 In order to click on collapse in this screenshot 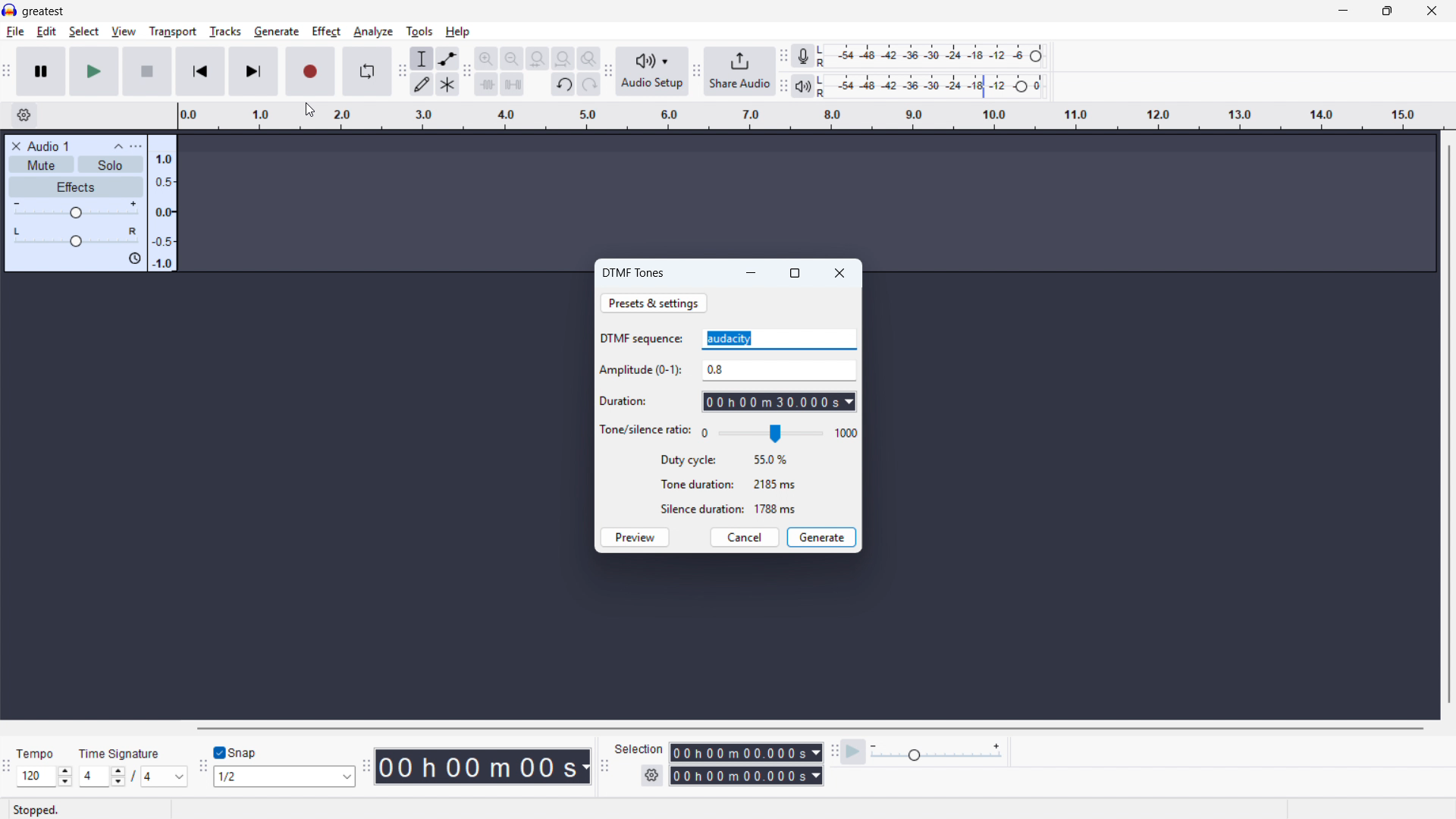, I will do `click(118, 146)`.